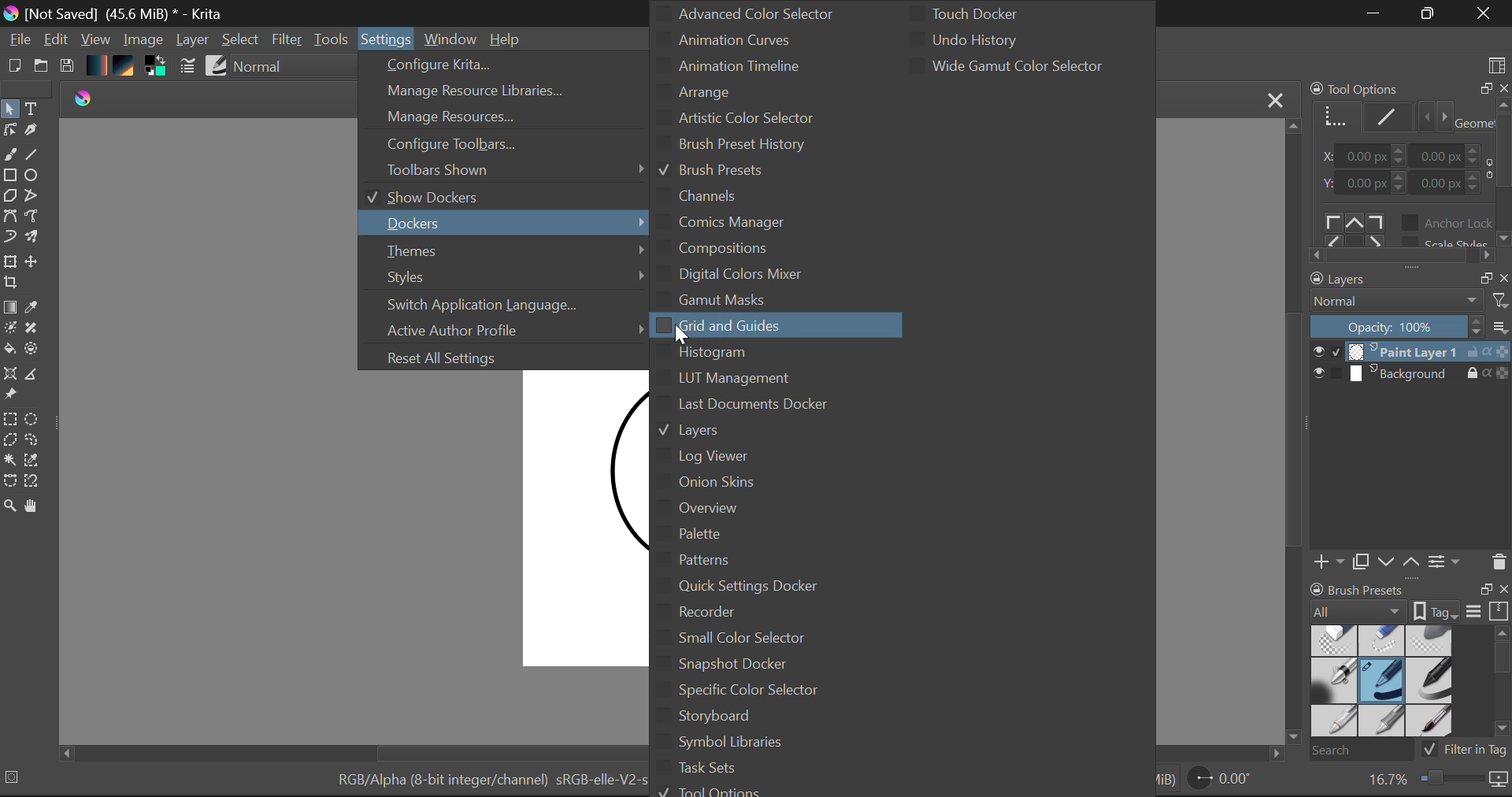 The height and width of the screenshot is (797, 1512). Describe the element at coordinates (217, 67) in the screenshot. I see `Brush Presets` at that location.